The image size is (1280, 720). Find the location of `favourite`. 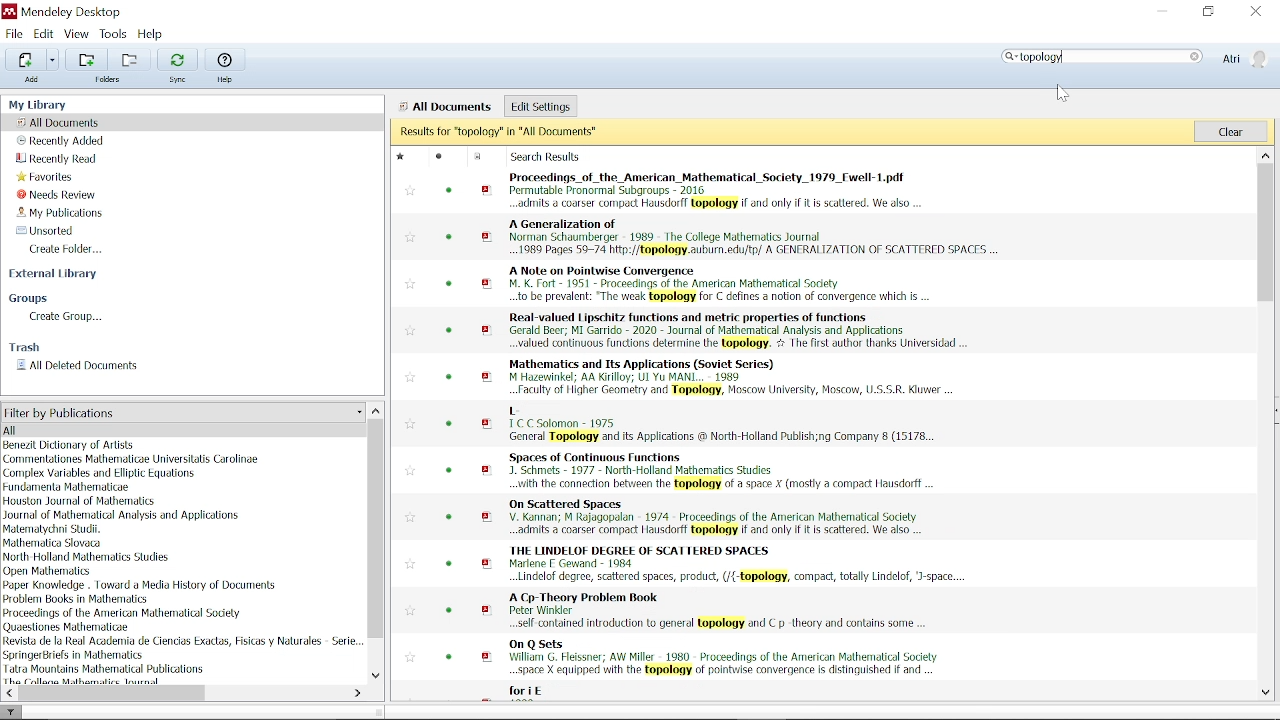

favourite is located at coordinates (410, 563).